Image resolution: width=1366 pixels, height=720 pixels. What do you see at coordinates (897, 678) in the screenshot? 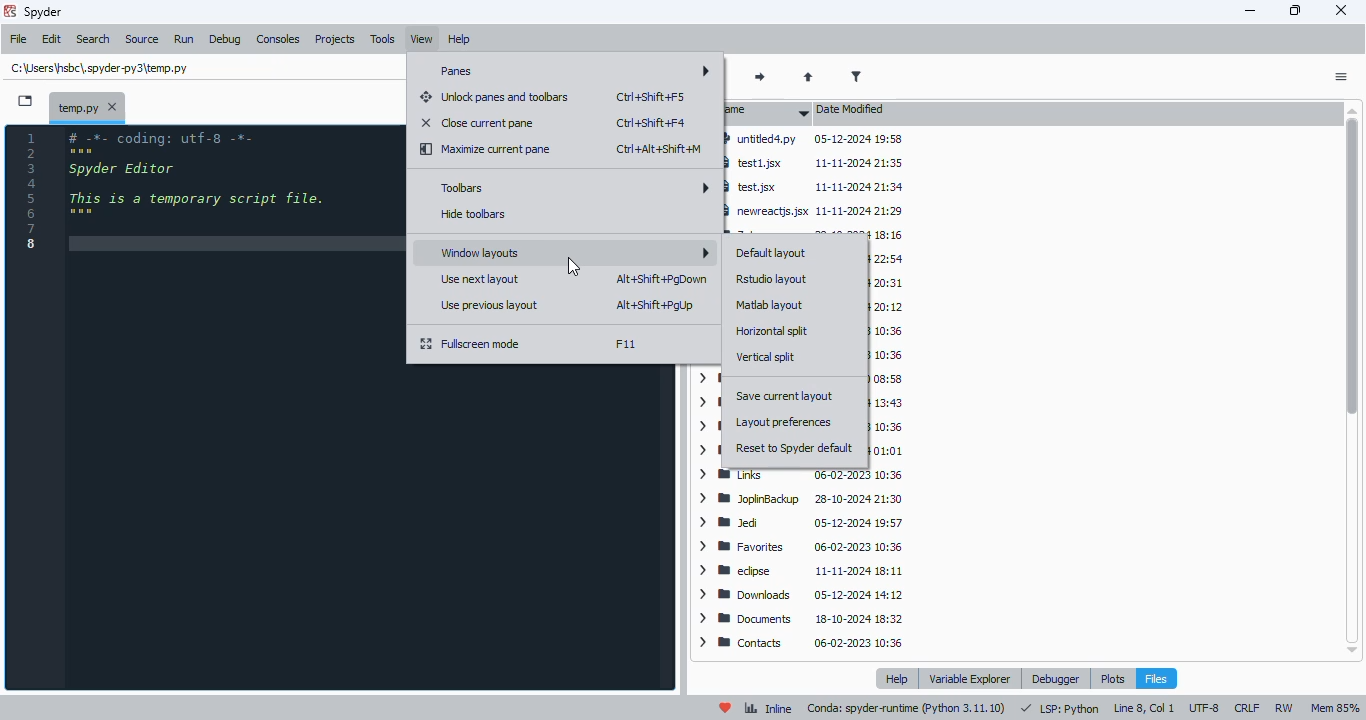
I see `help` at bounding box center [897, 678].